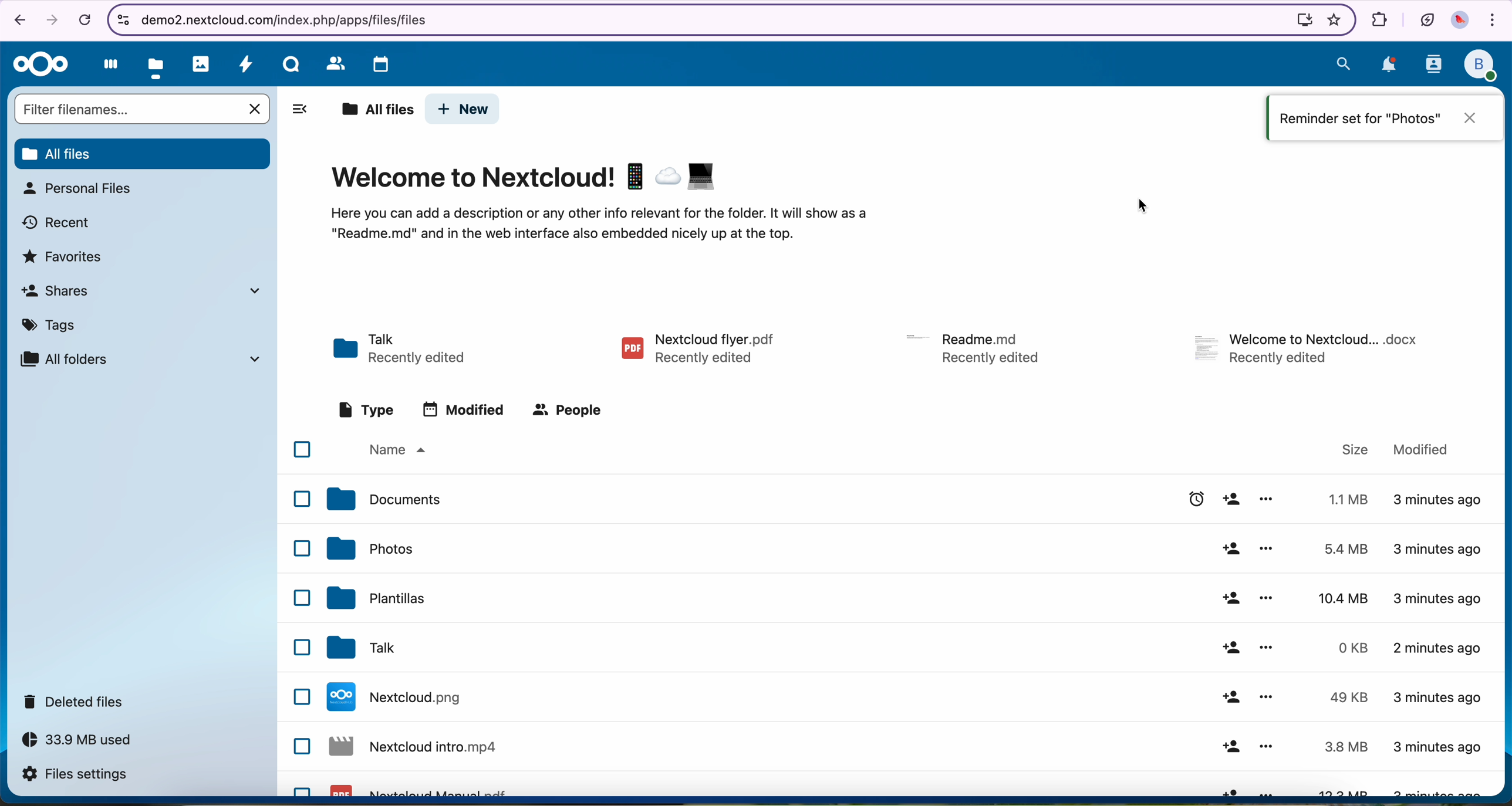 The height and width of the screenshot is (806, 1512). Describe the element at coordinates (1266, 499) in the screenshot. I see `more options` at that location.